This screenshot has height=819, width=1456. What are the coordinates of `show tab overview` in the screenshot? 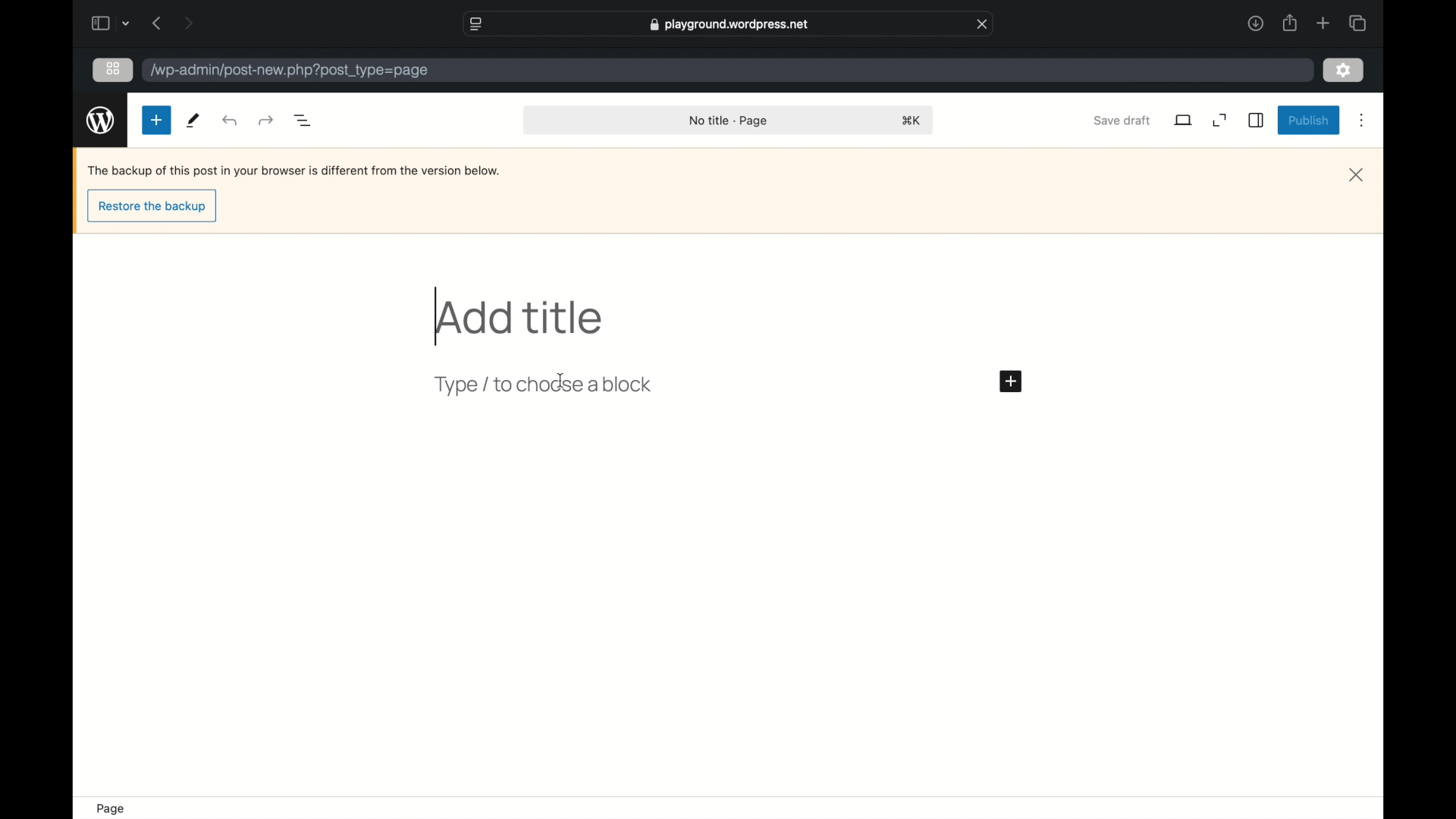 It's located at (1359, 23).